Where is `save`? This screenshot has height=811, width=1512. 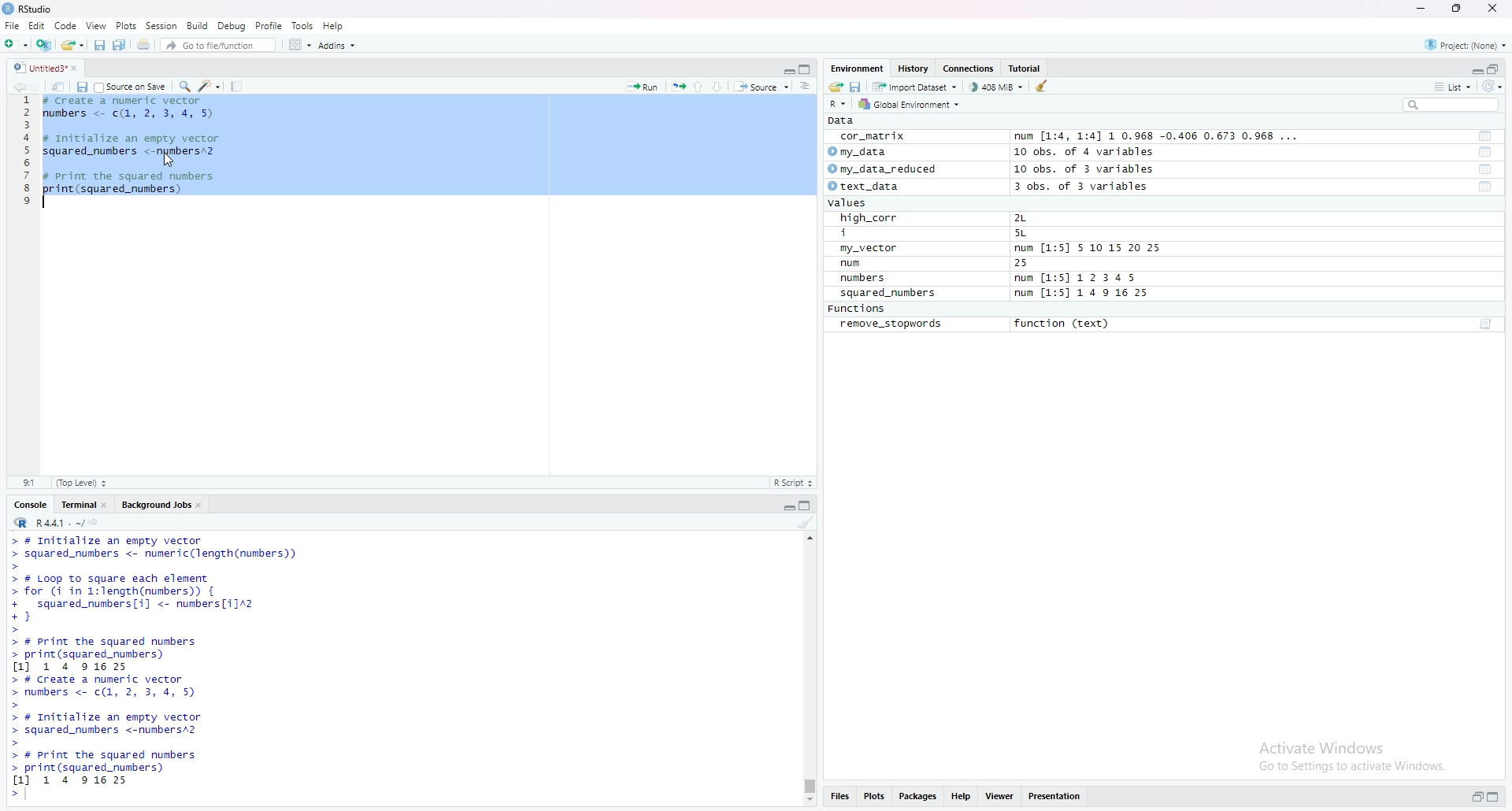
save is located at coordinates (81, 86).